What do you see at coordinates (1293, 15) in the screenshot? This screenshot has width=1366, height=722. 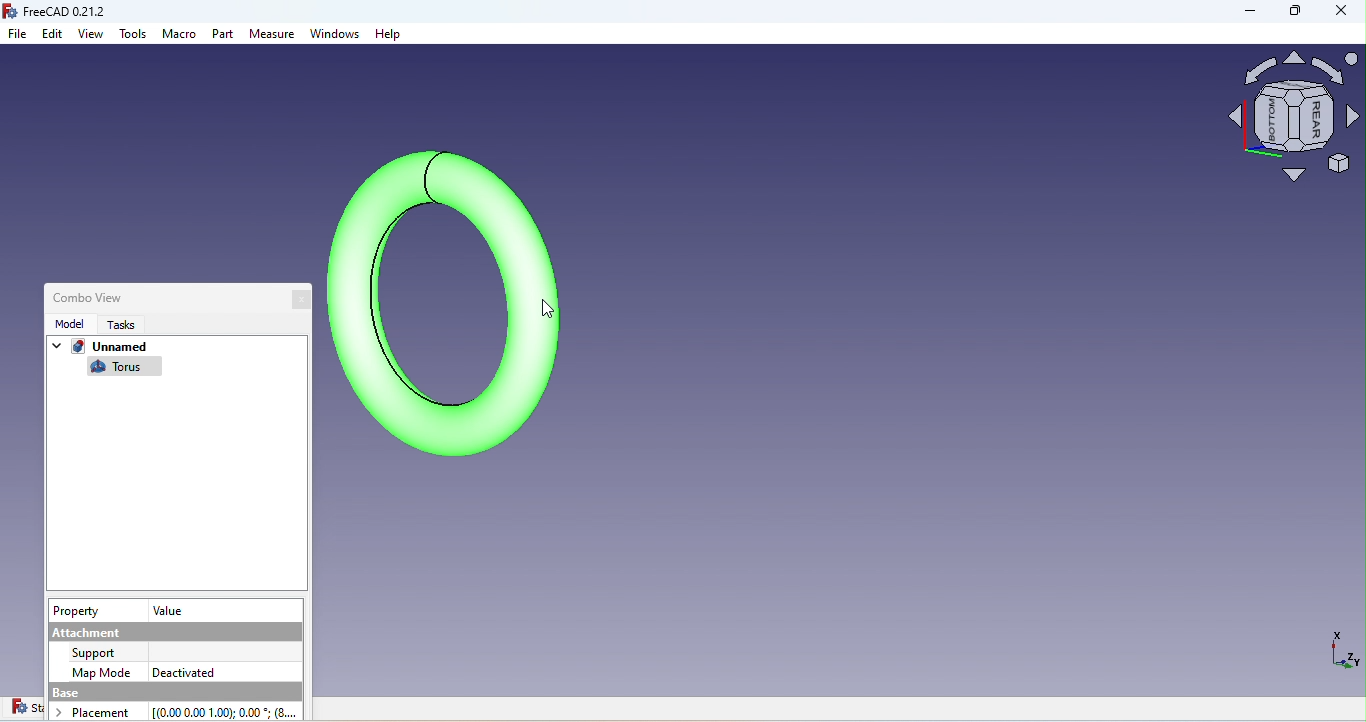 I see `Maximize` at bounding box center [1293, 15].